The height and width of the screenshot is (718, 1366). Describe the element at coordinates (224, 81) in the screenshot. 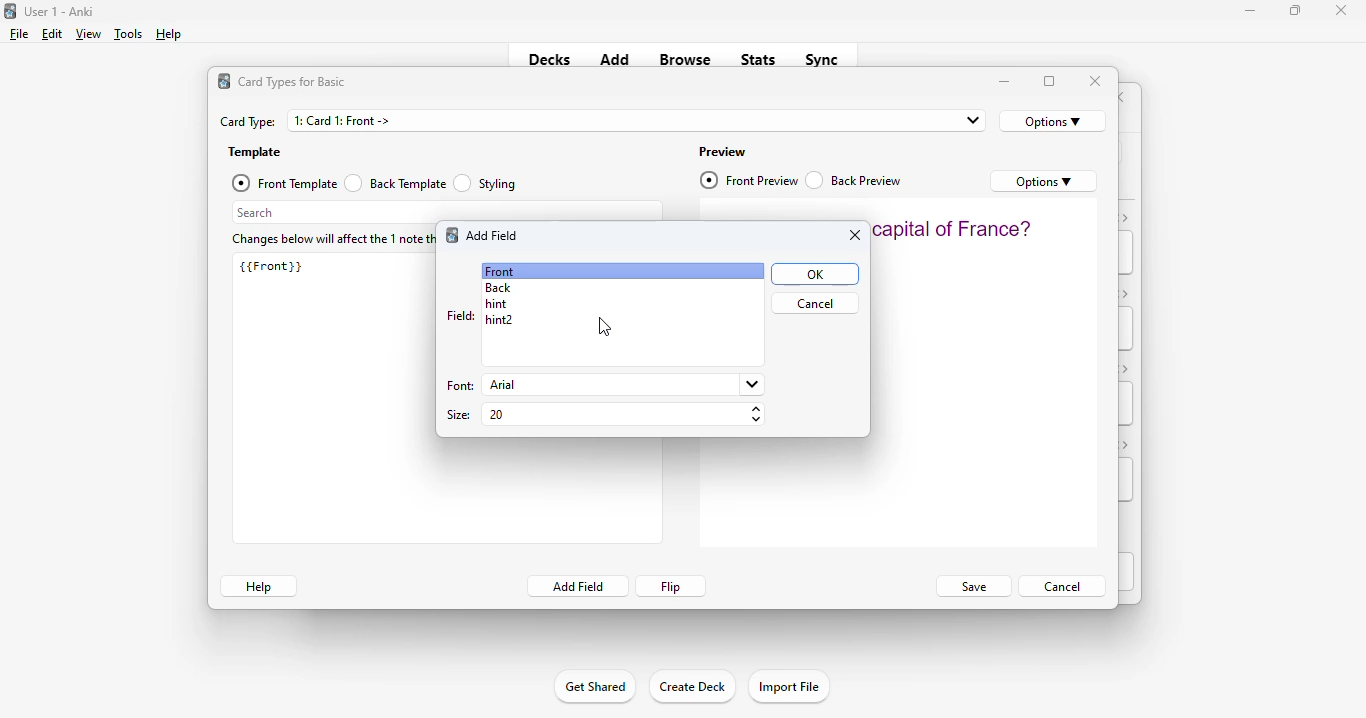

I see `logo` at that location.